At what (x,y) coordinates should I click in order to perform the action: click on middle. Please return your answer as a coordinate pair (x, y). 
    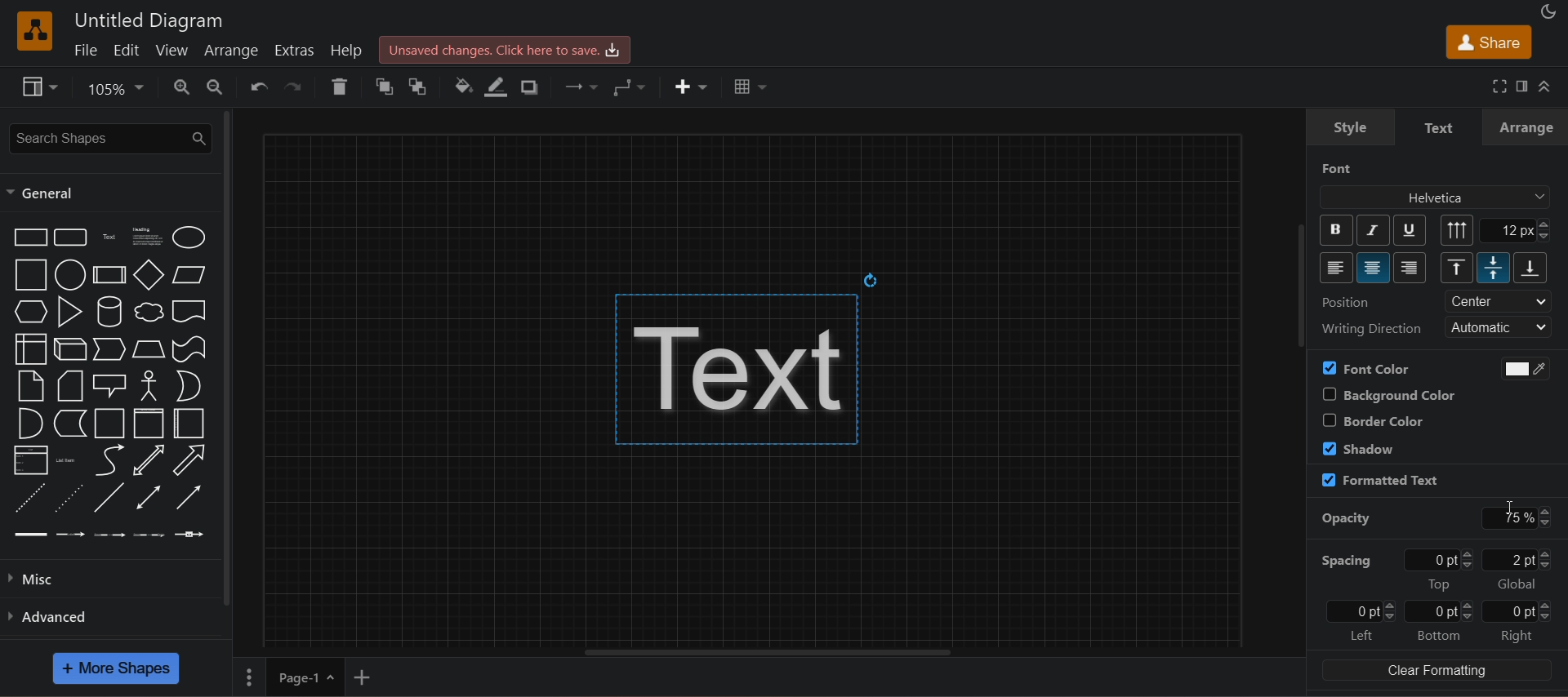
    Looking at the image, I should click on (1493, 268).